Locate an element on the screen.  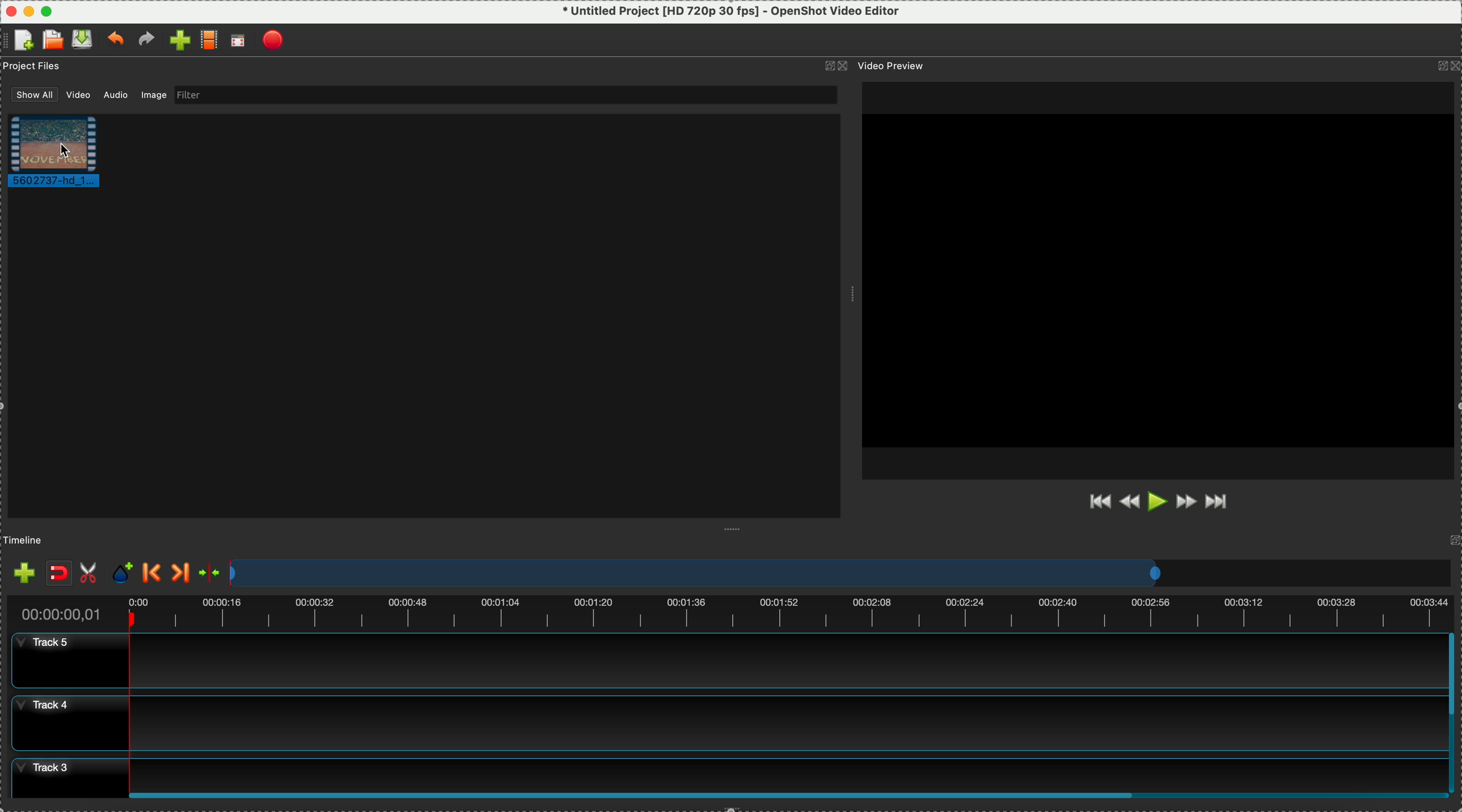
rewind is located at coordinates (1129, 504).